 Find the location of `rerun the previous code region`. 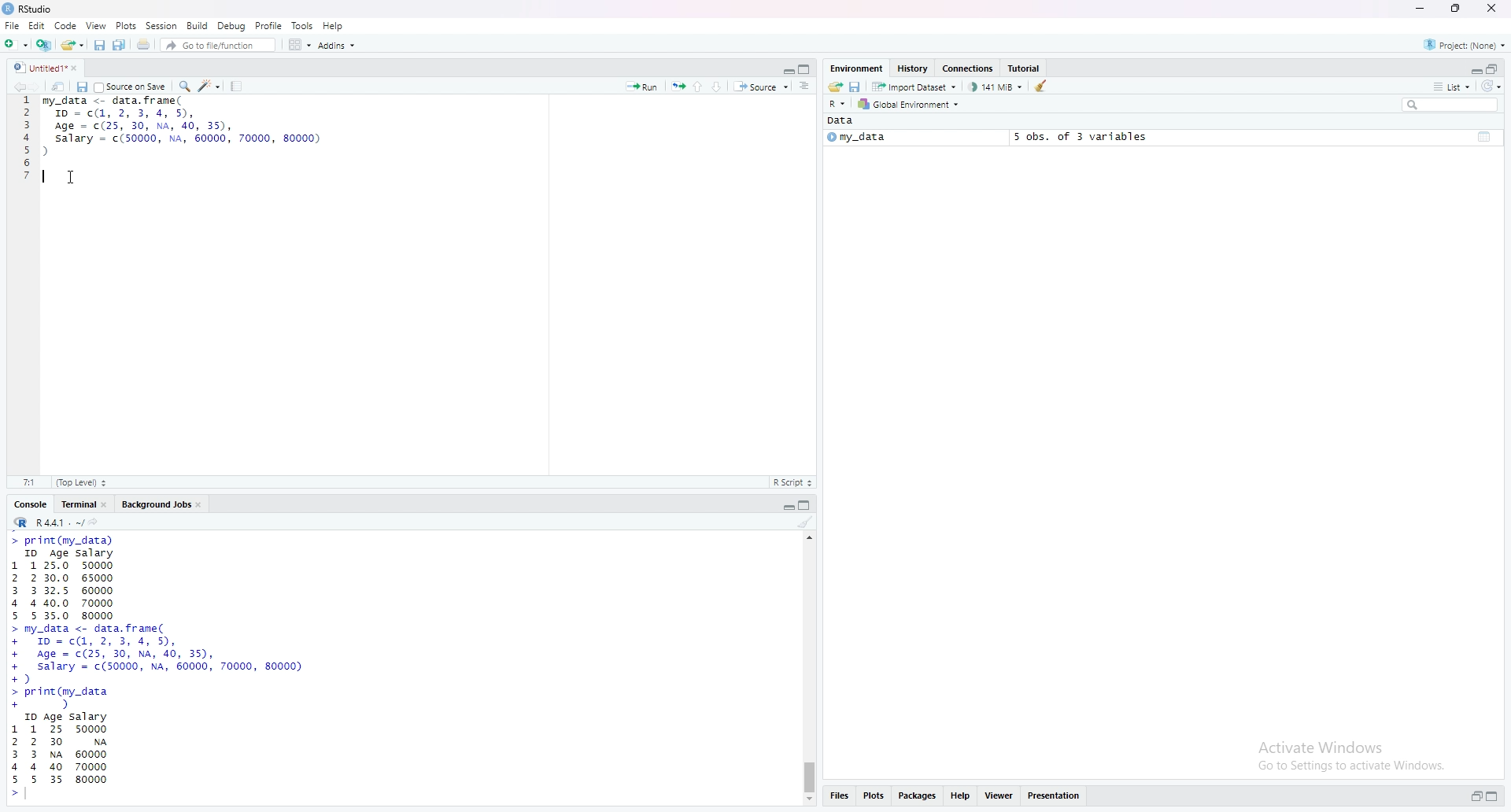

rerun the previous code region is located at coordinates (678, 87).